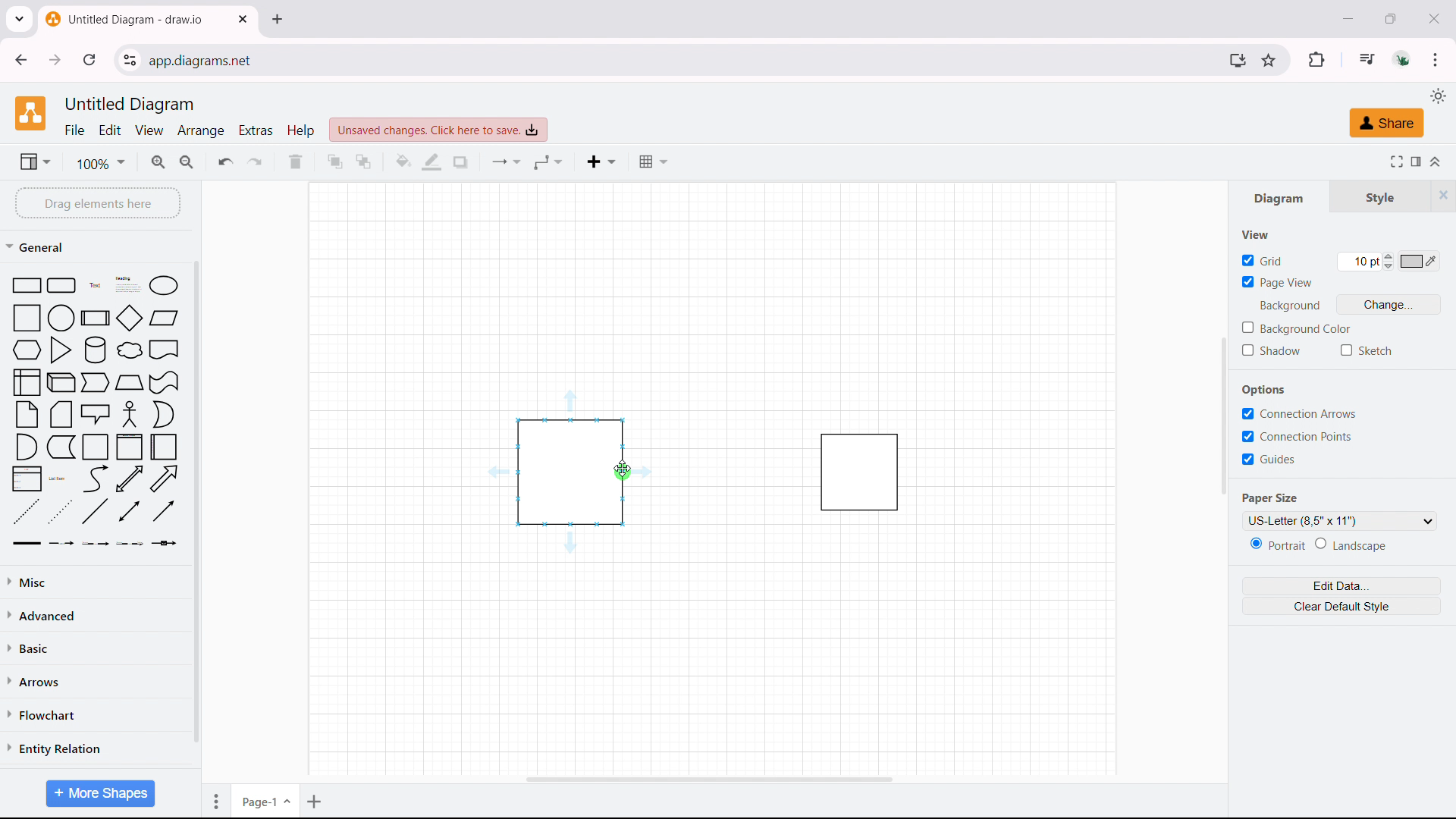 The height and width of the screenshot is (819, 1456). I want to click on to front, so click(334, 161).